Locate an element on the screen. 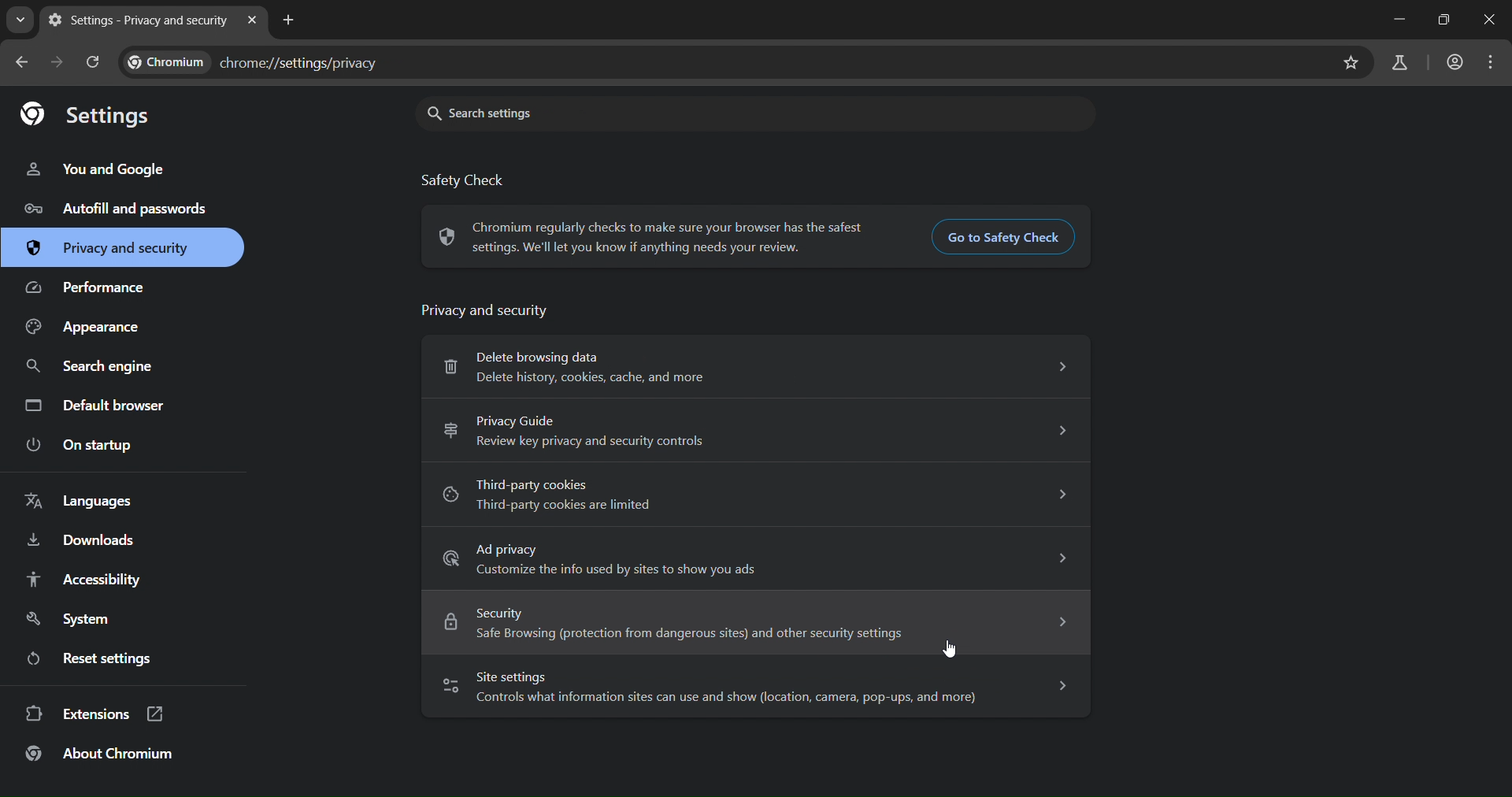 The image size is (1512, 797). Privacy Guide
Review key privacy and security controls is located at coordinates (755, 431).